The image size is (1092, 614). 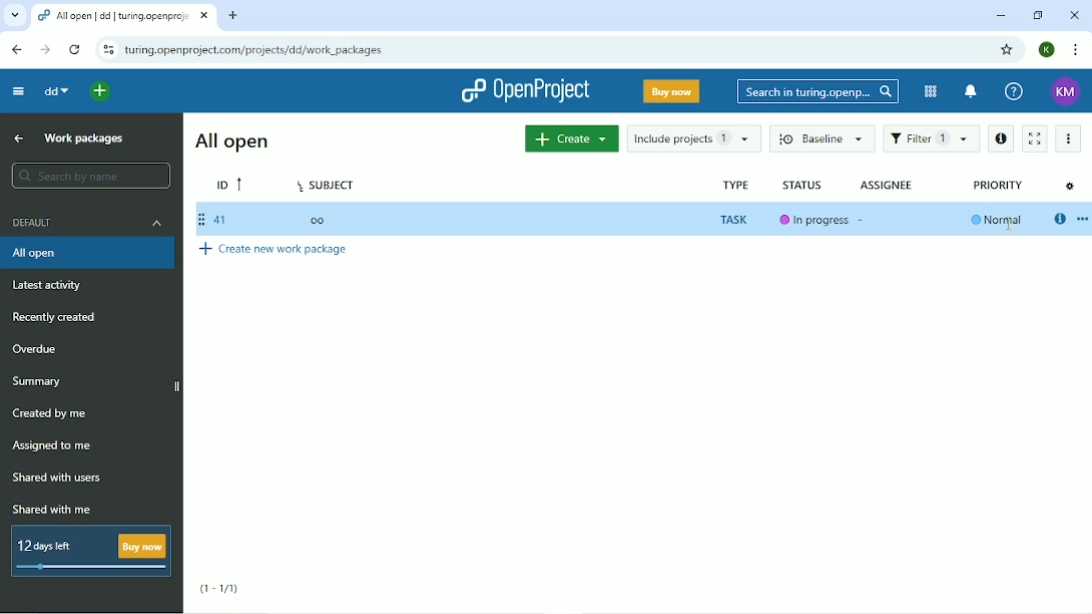 What do you see at coordinates (91, 176) in the screenshot?
I see `Search by name` at bounding box center [91, 176].